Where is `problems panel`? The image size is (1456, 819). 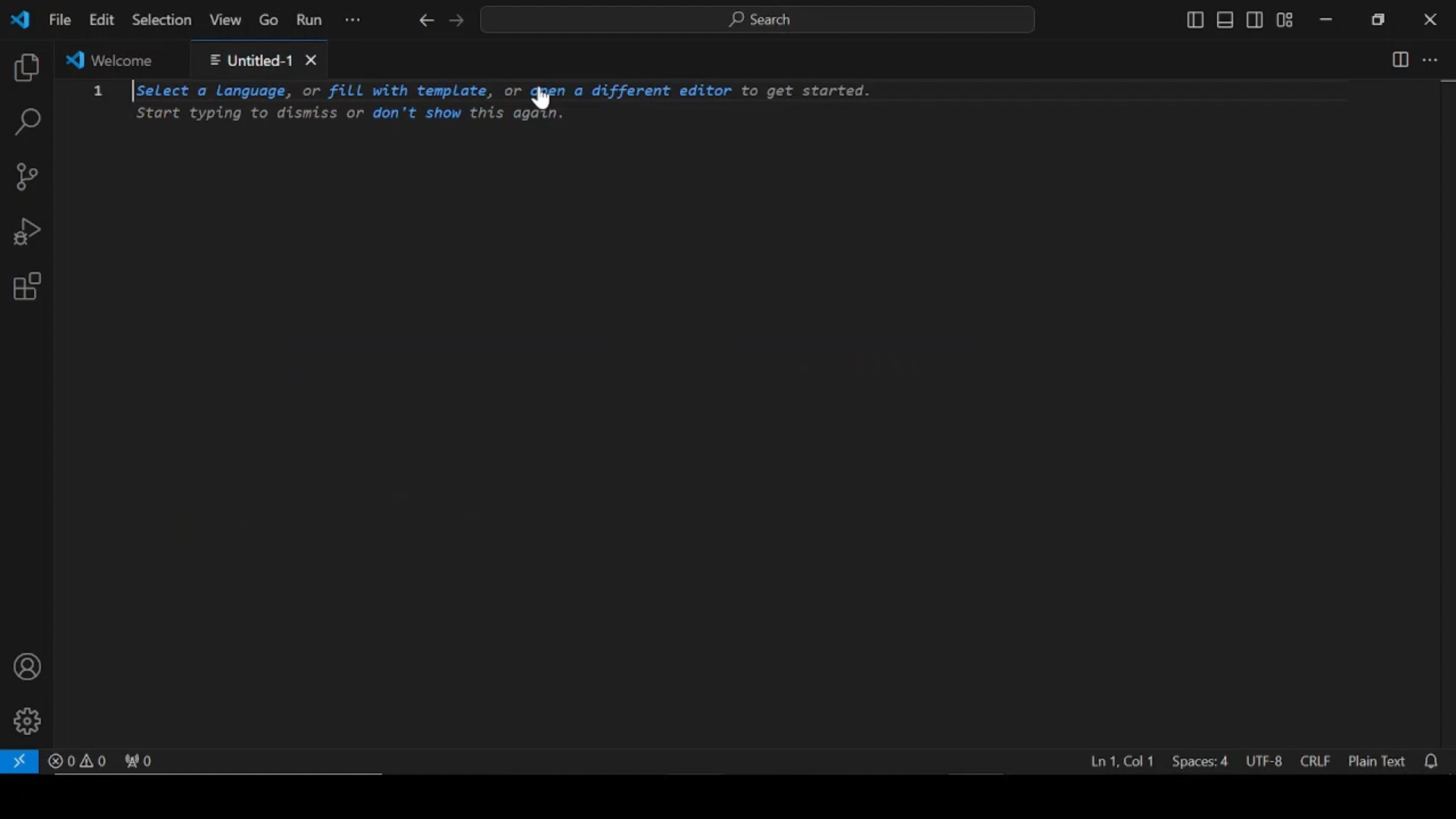
problems panel is located at coordinates (77, 760).